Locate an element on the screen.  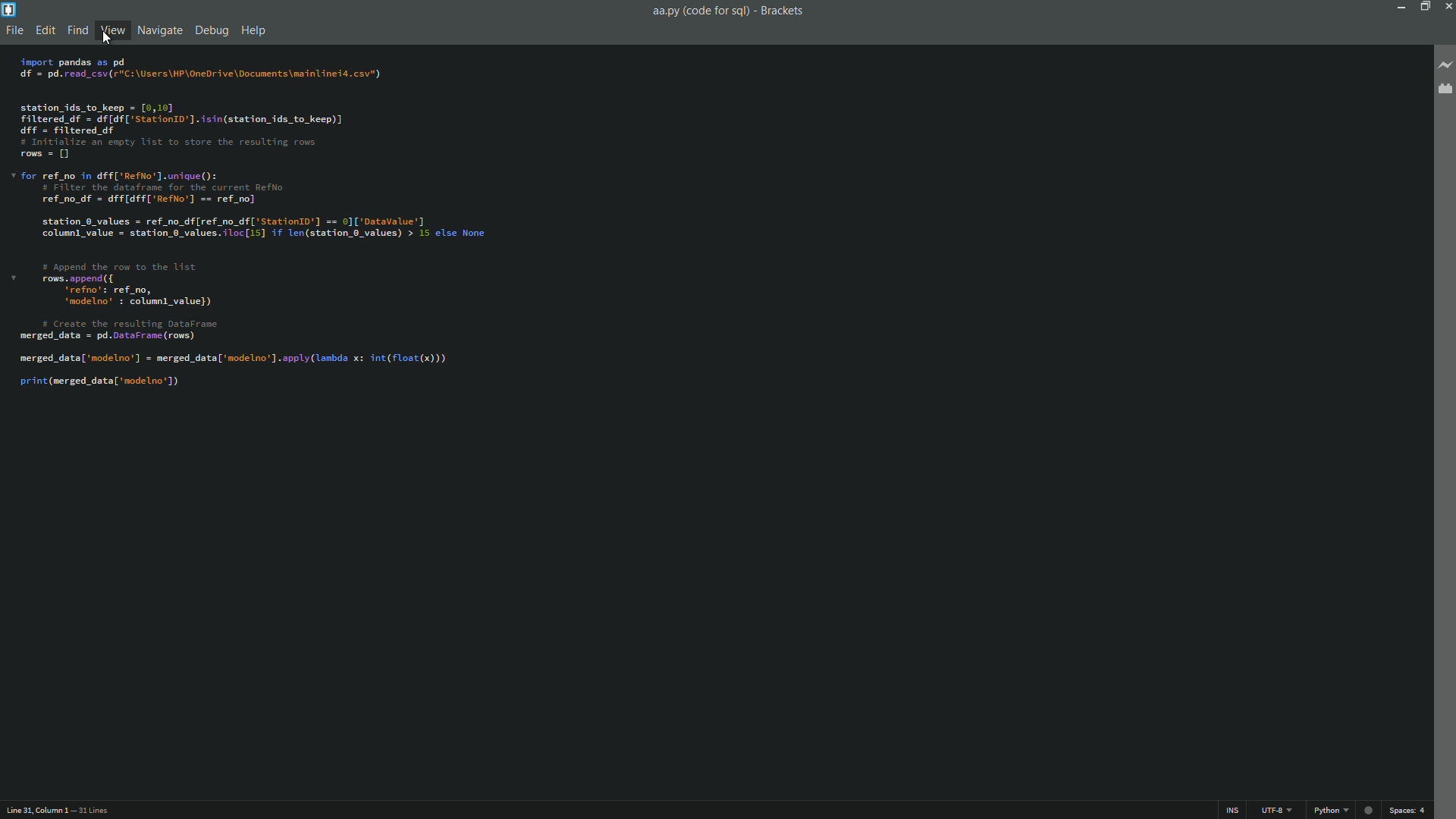
edit menu is located at coordinates (44, 28).